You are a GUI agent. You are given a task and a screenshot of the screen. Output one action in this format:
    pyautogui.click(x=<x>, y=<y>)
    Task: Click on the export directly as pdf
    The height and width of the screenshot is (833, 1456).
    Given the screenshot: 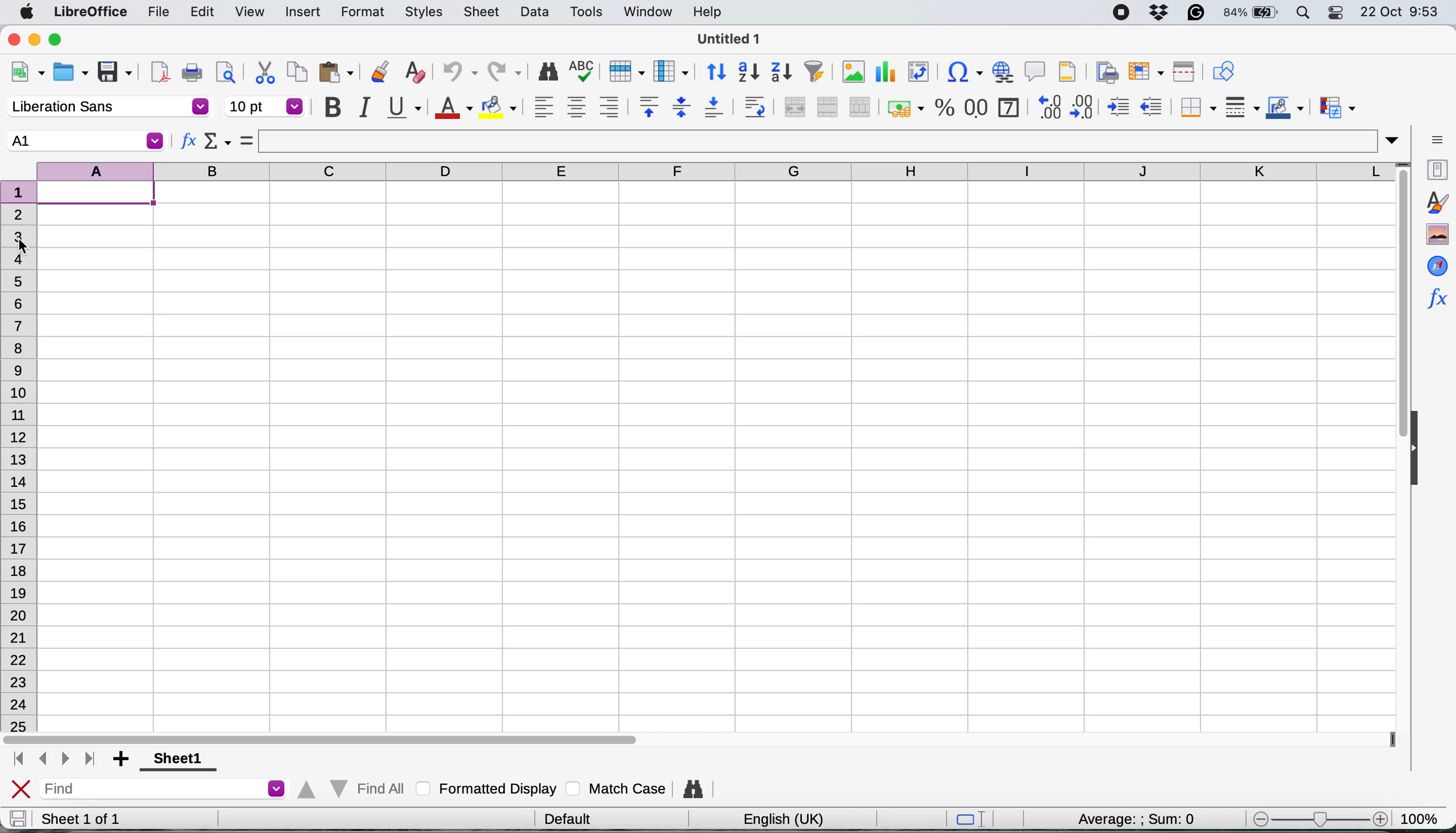 What is the action you would take?
    pyautogui.click(x=161, y=72)
    